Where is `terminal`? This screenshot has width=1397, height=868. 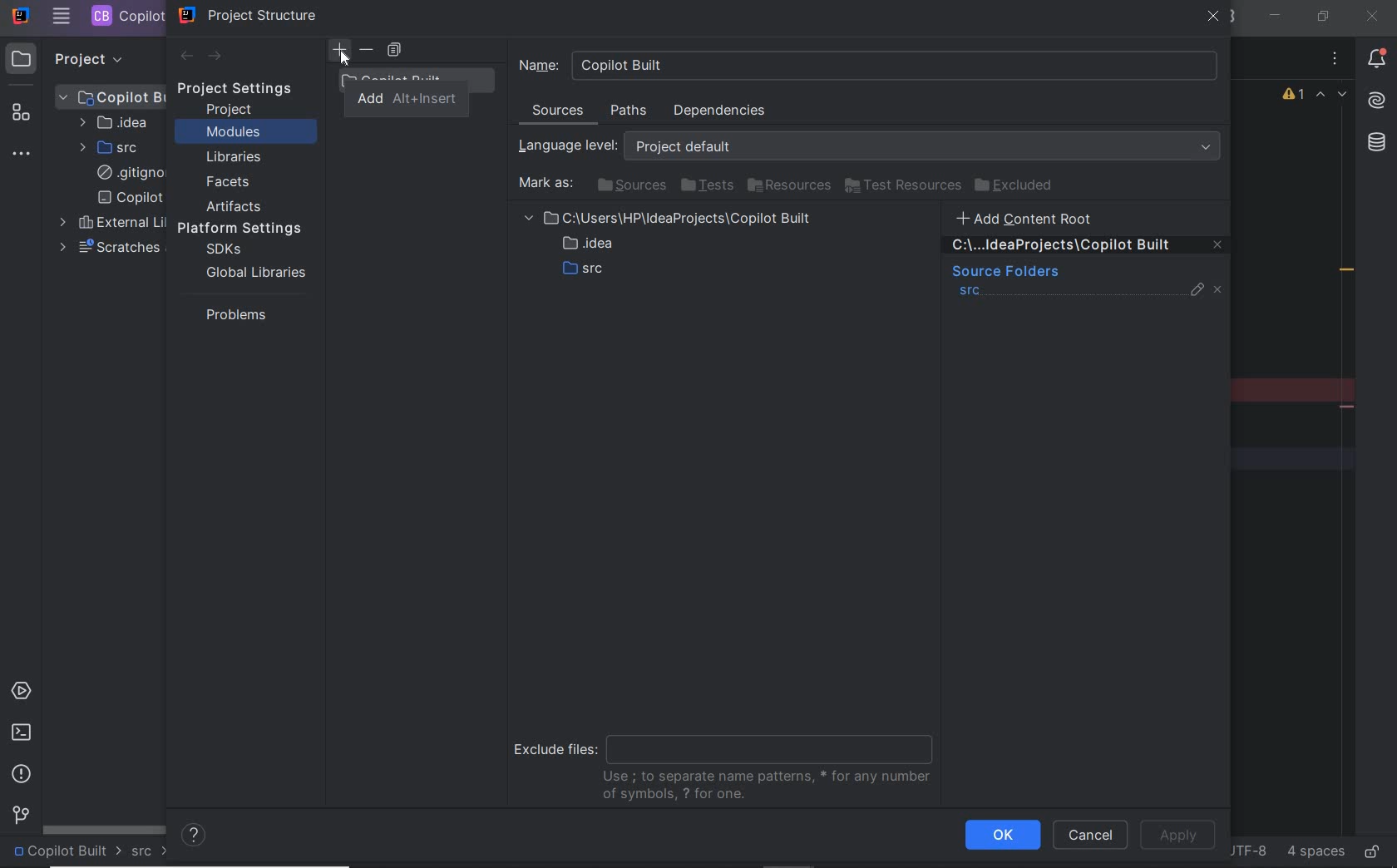 terminal is located at coordinates (21, 732).